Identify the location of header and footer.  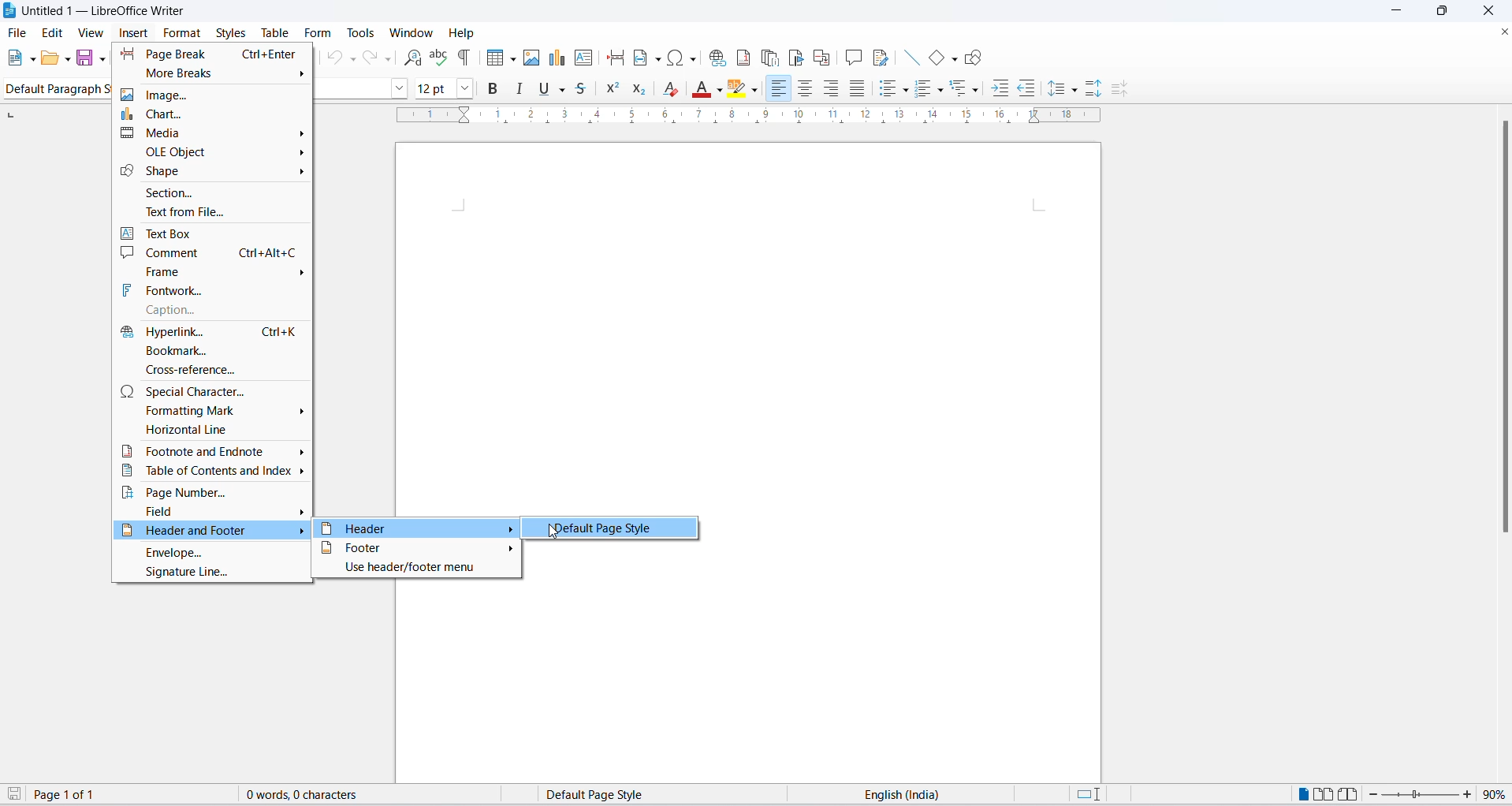
(212, 532).